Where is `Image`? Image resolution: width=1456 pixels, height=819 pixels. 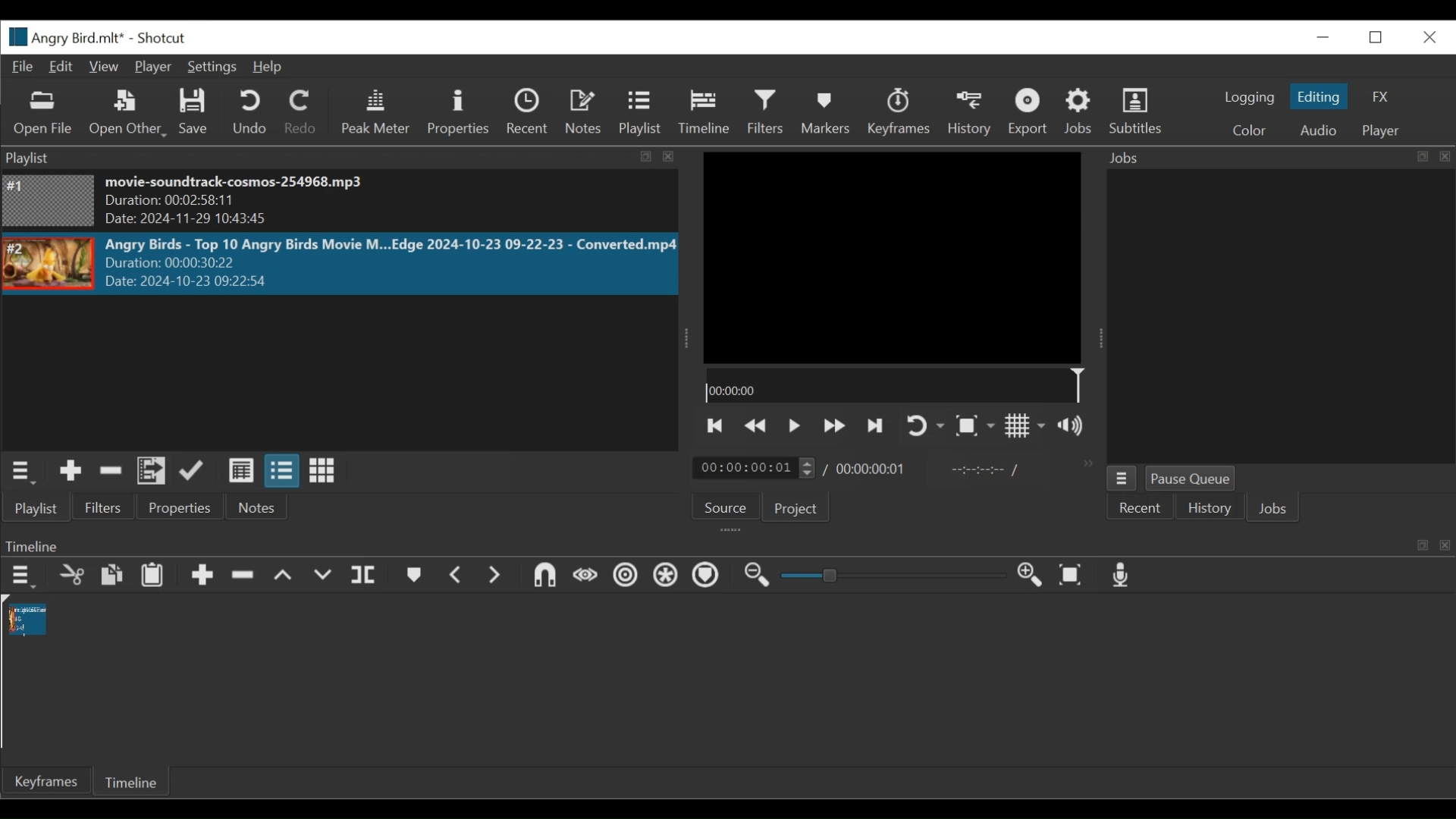 Image is located at coordinates (49, 264).